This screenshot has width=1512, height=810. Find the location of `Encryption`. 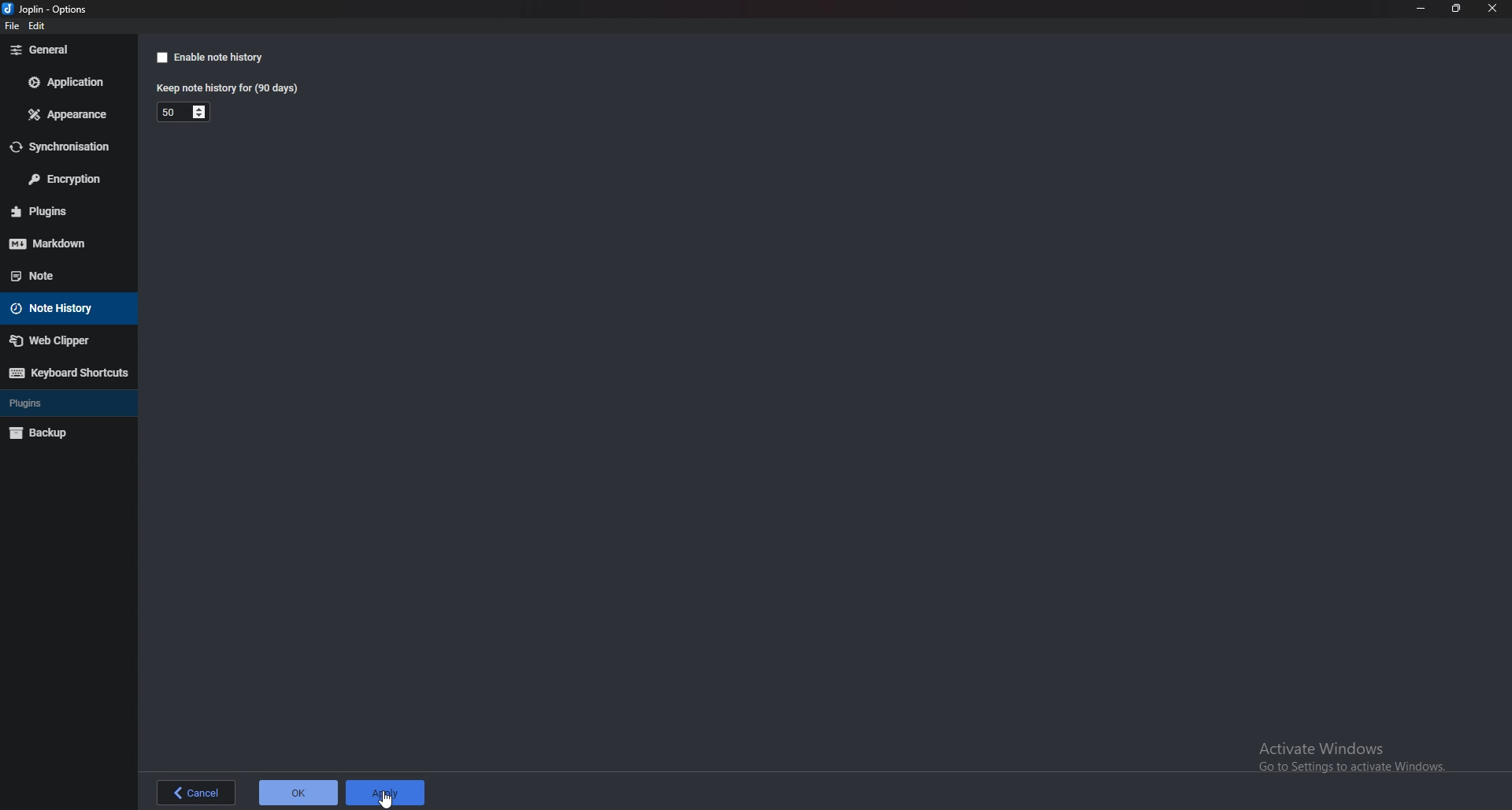

Encryption is located at coordinates (66, 178).